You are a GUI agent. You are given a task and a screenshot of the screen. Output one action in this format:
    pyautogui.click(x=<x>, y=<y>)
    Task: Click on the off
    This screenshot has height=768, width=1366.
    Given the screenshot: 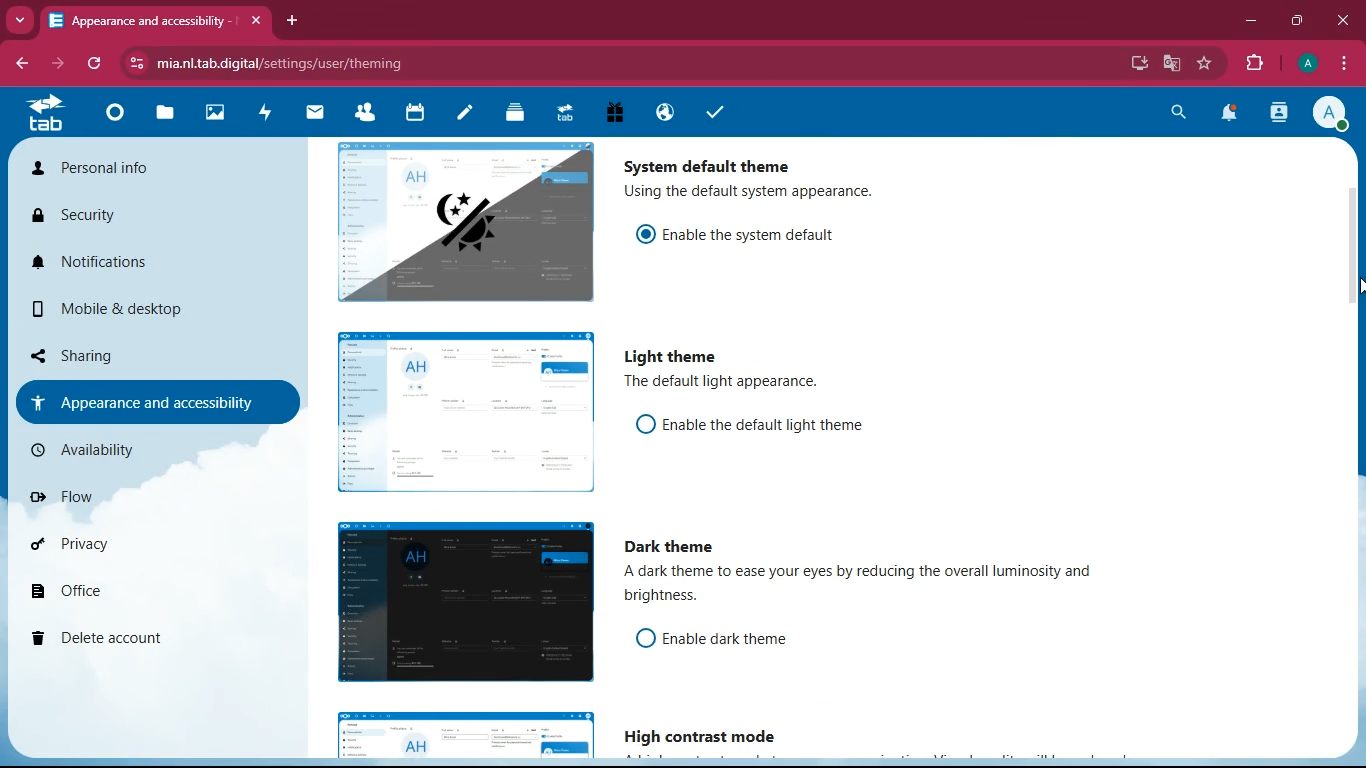 What is the action you would take?
    pyautogui.click(x=645, y=424)
    